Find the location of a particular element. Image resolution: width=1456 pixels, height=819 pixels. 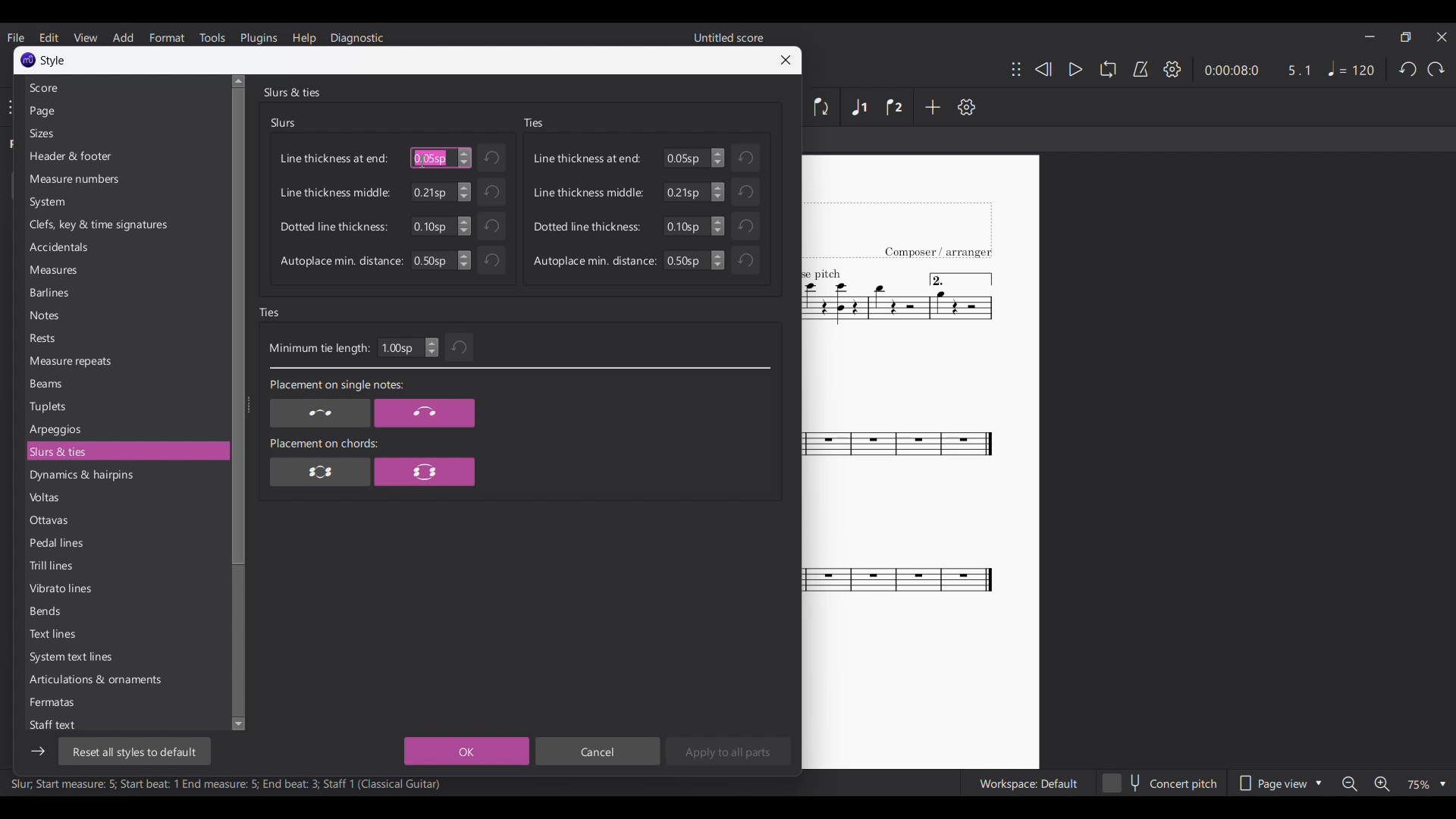

Add menu is located at coordinates (124, 38).